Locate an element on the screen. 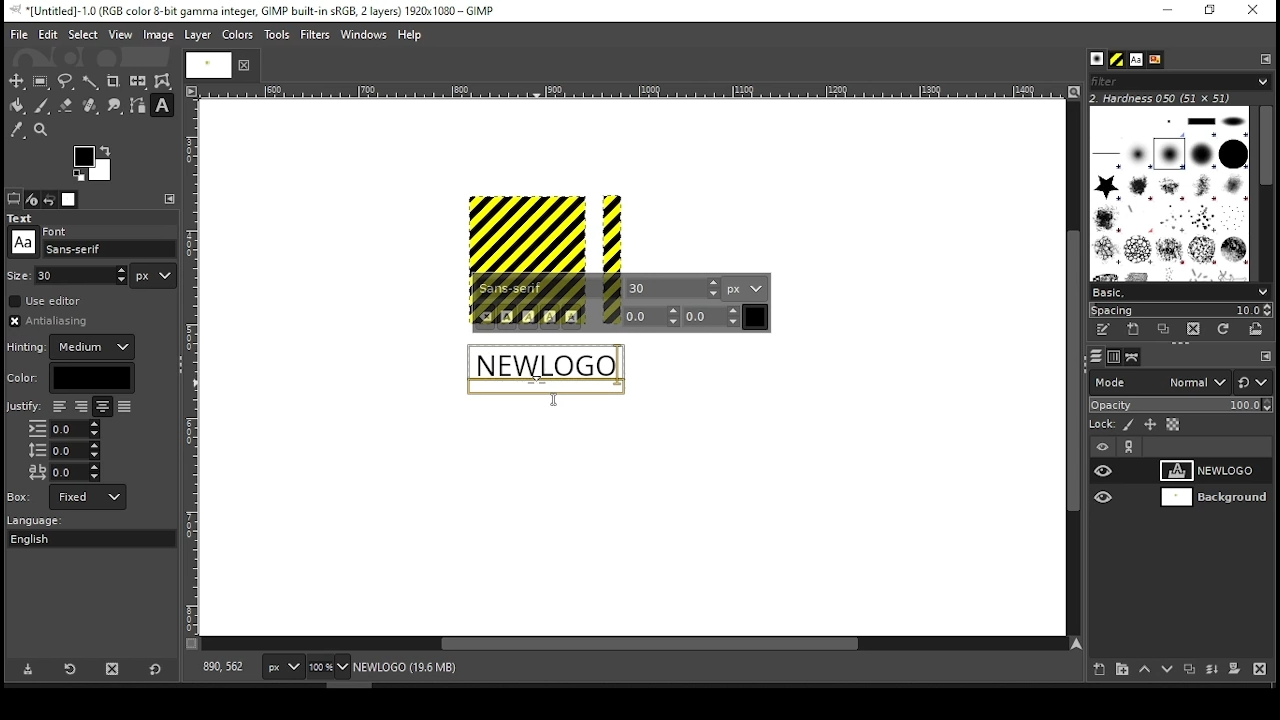 Image resolution: width=1280 pixels, height=720 pixels. paths is located at coordinates (1135, 356).